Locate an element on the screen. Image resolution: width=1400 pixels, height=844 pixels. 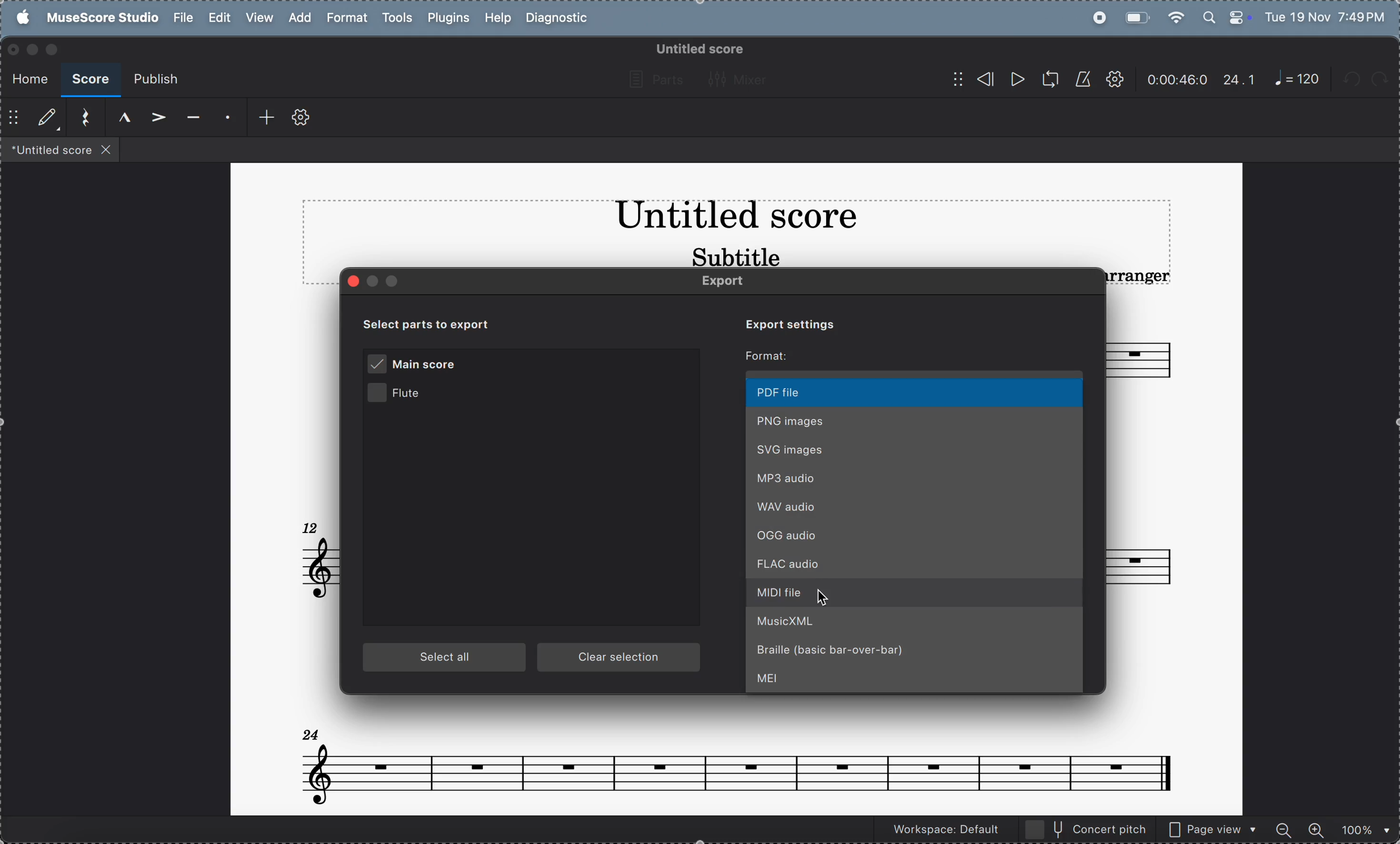
reset is located at coordinates (82, 118).